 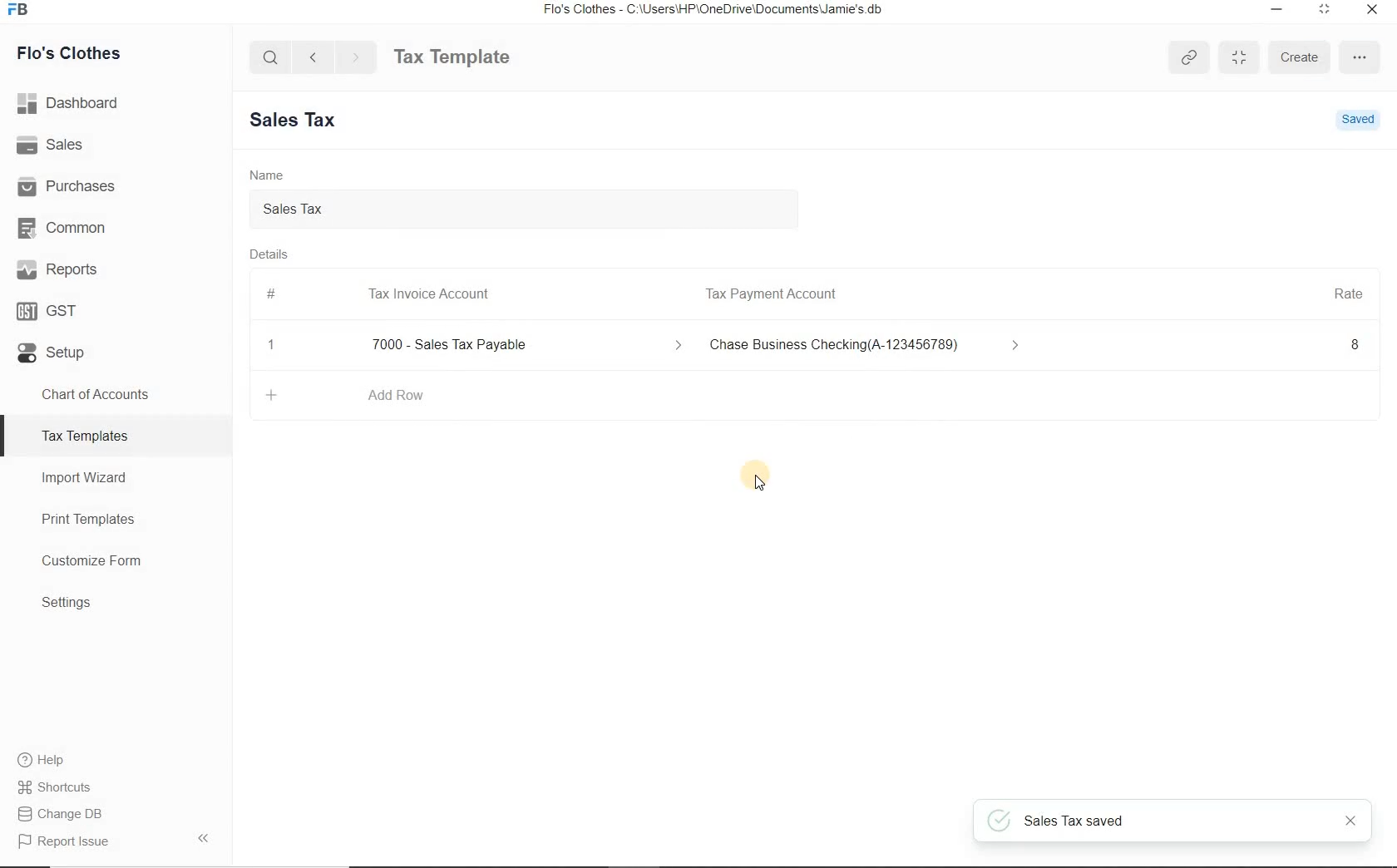 What do you see at coordinates (116, 144) in the screenshot?
I see `Sales` at bounding box center [116, 144].